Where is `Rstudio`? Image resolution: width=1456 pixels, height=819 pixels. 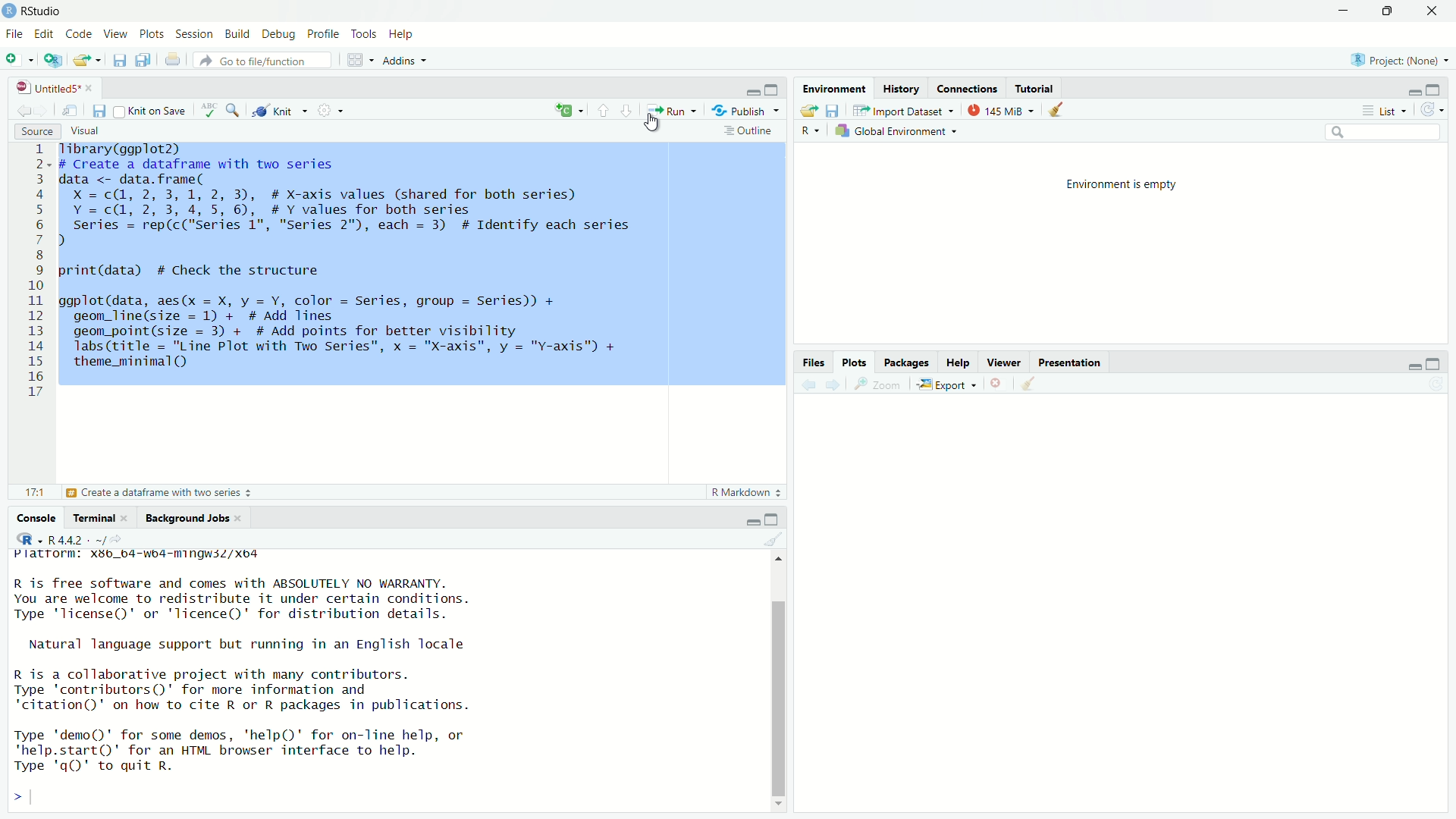
Rstudio is located at coordinates (36, 11).